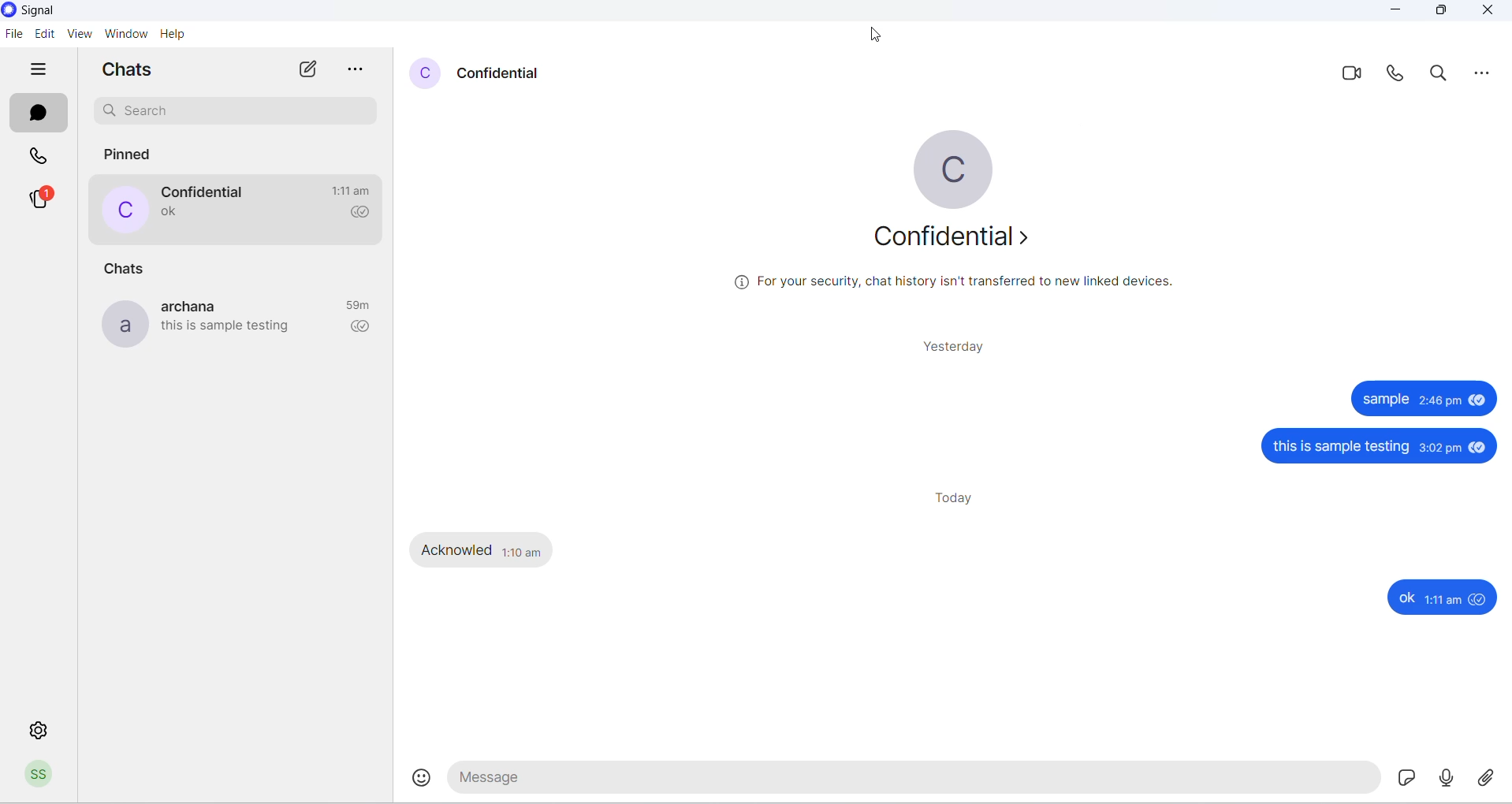 This screenshot has height=804, width=1512. Describe the element at coordinates (360, 306) in the screenshot. I see `last message time record` at that location.